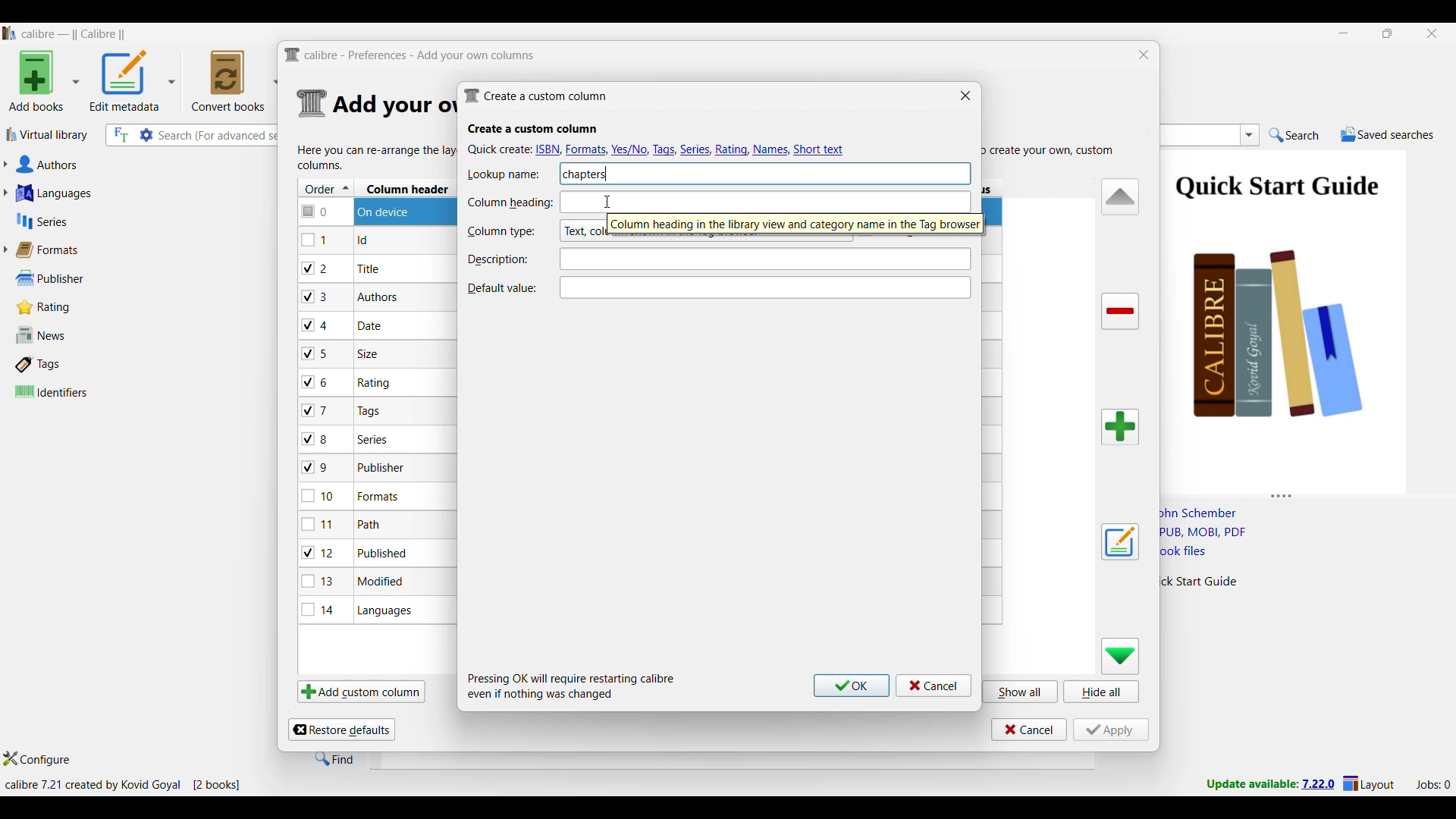  Describe the element at coordinates (37, 758) in the screenshot. I see `Configure` at that location.